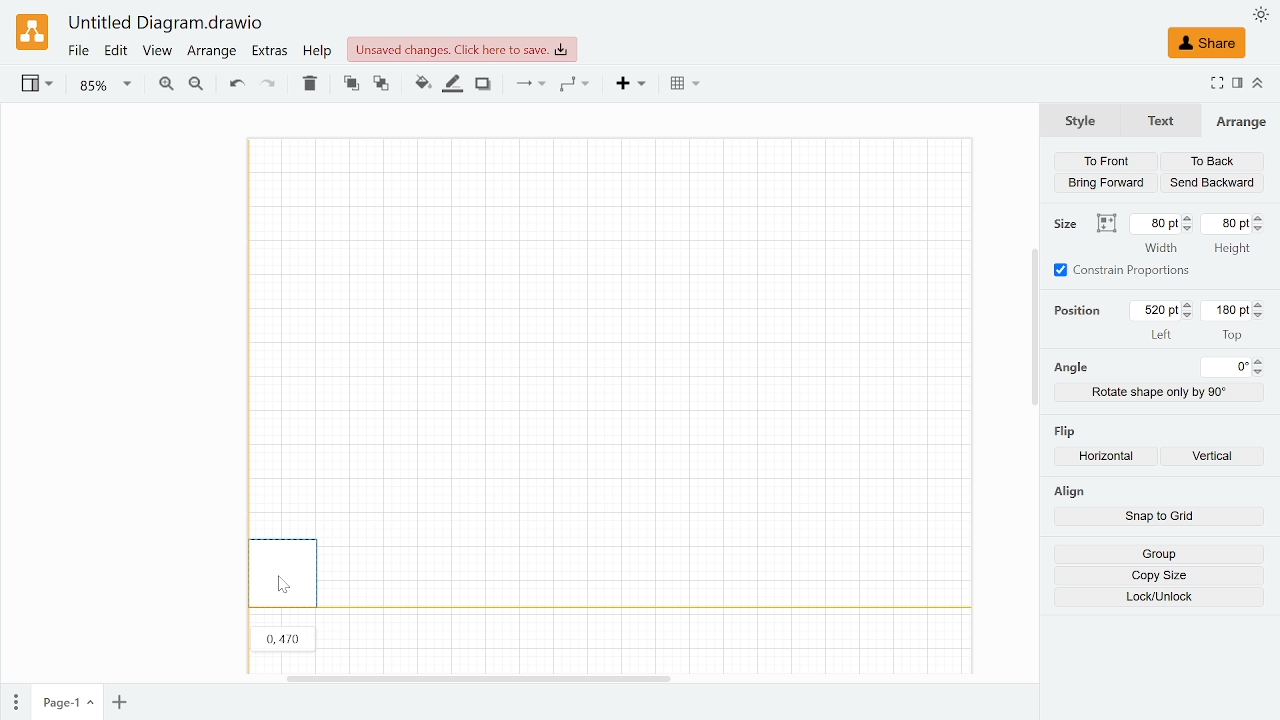 This screenshot has width=1280, height=720. What do you see at coordinates (1111, 458) in the screenshot?
I see `Flip horizontally` at bounding box center [1111, 458].